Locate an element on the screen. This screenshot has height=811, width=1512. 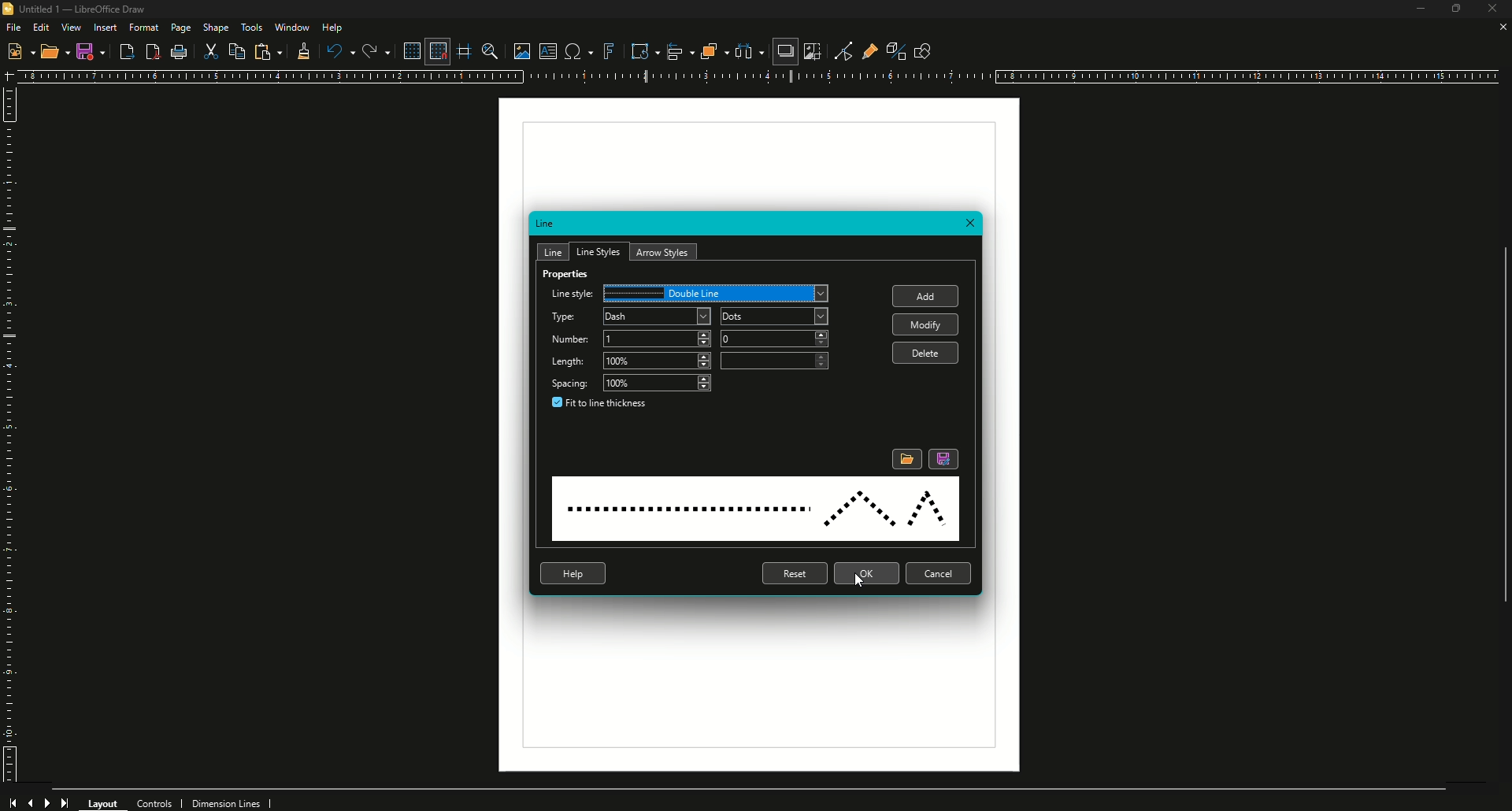
Number is located at coordinates (570, 340).